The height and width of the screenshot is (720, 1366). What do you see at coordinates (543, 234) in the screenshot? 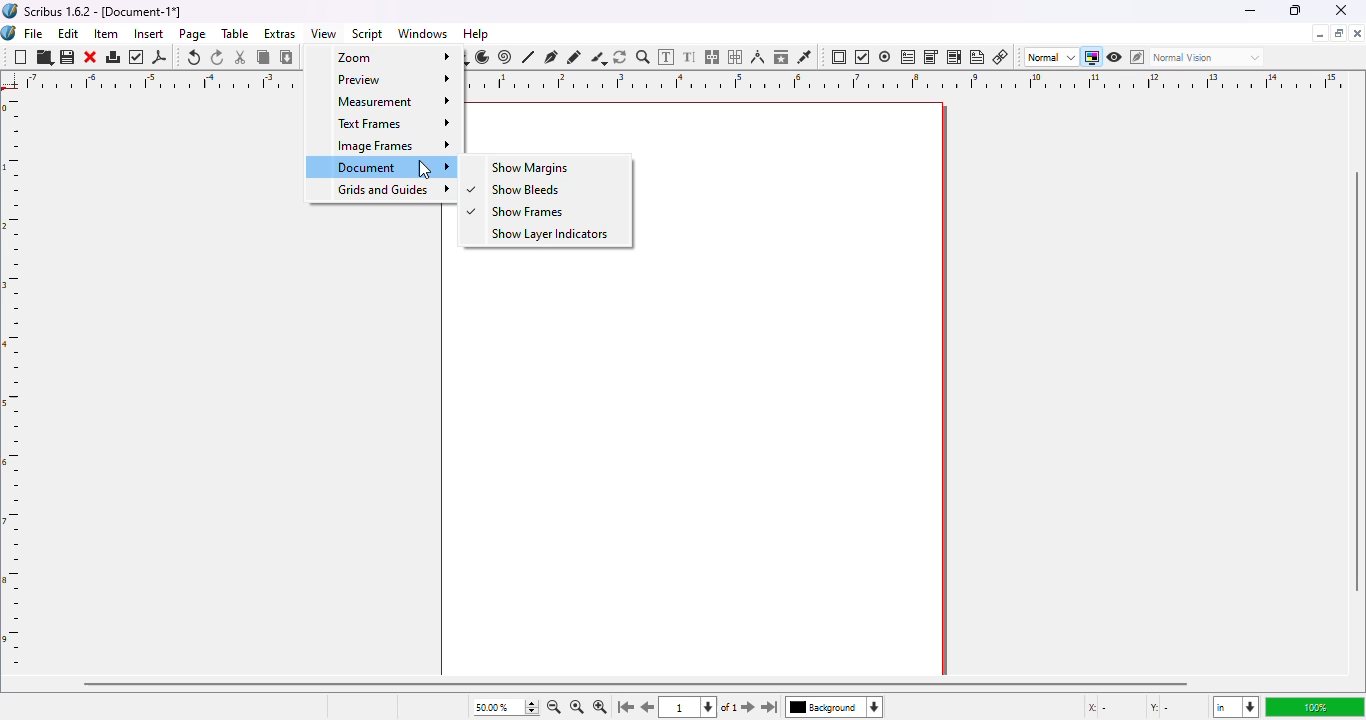
I see `show layer indicators` at bounding box center [543, 234].